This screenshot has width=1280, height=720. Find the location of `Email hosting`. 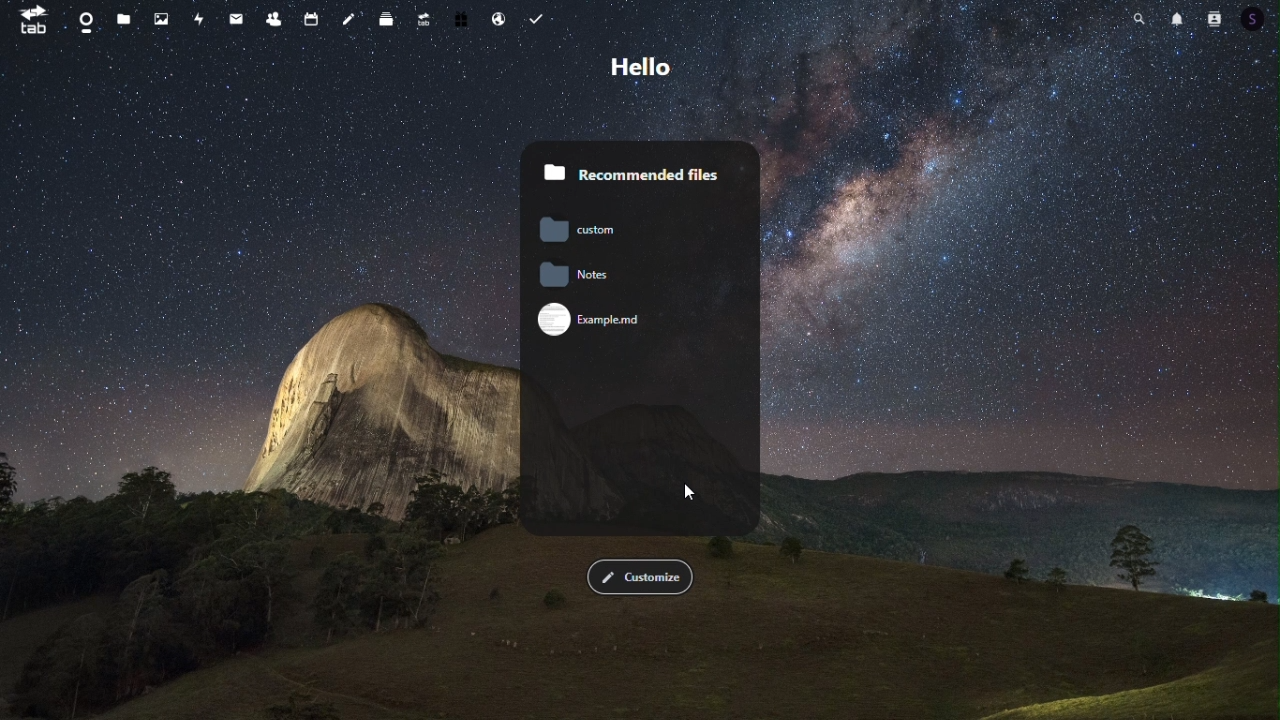

Email hosting is located at coordinates (499, 22).